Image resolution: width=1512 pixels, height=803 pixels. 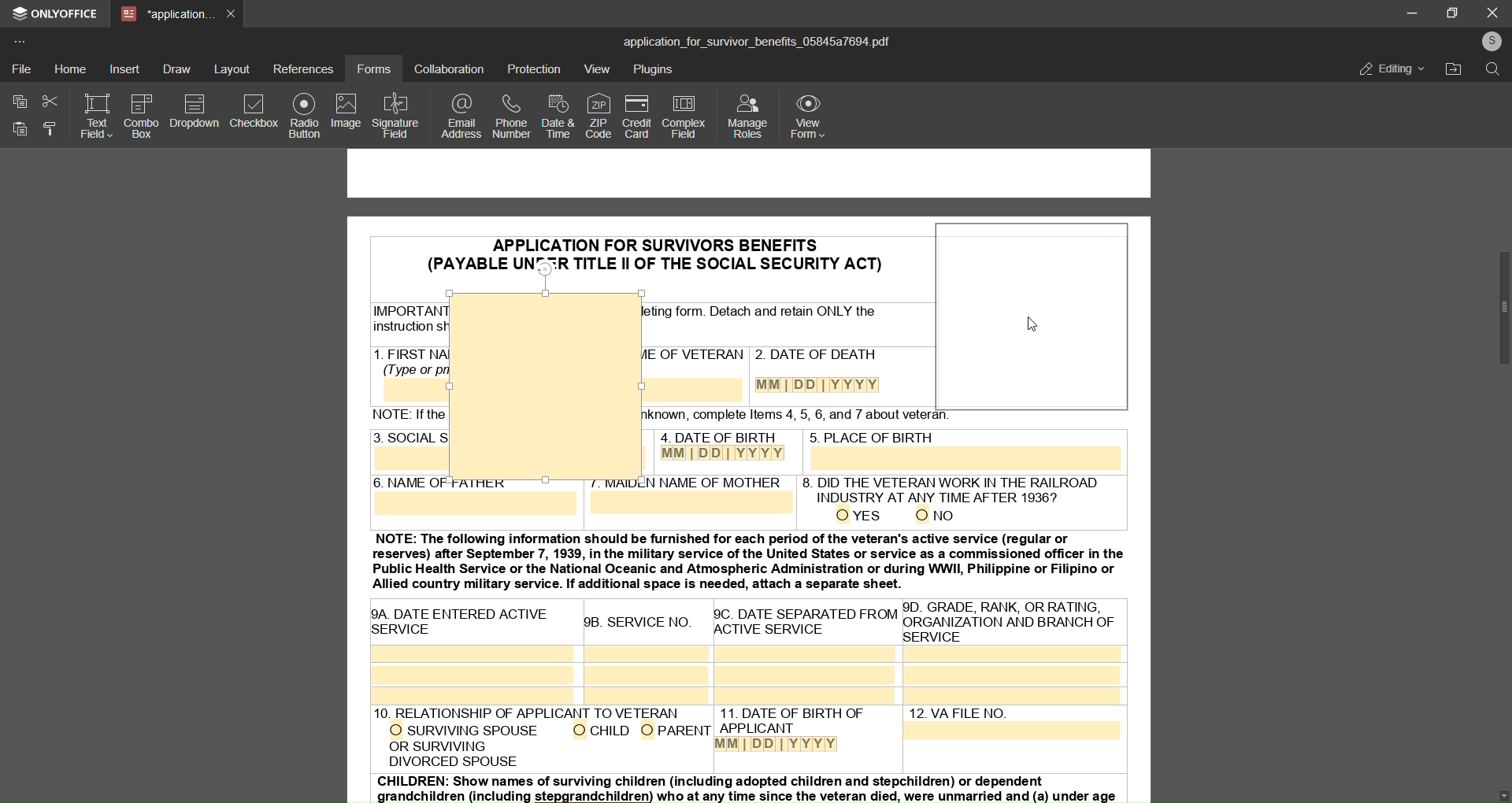 What do you see at coordinates (303, 117) in the screenshot?
I see `radio button` at bounding box center [303, 117].